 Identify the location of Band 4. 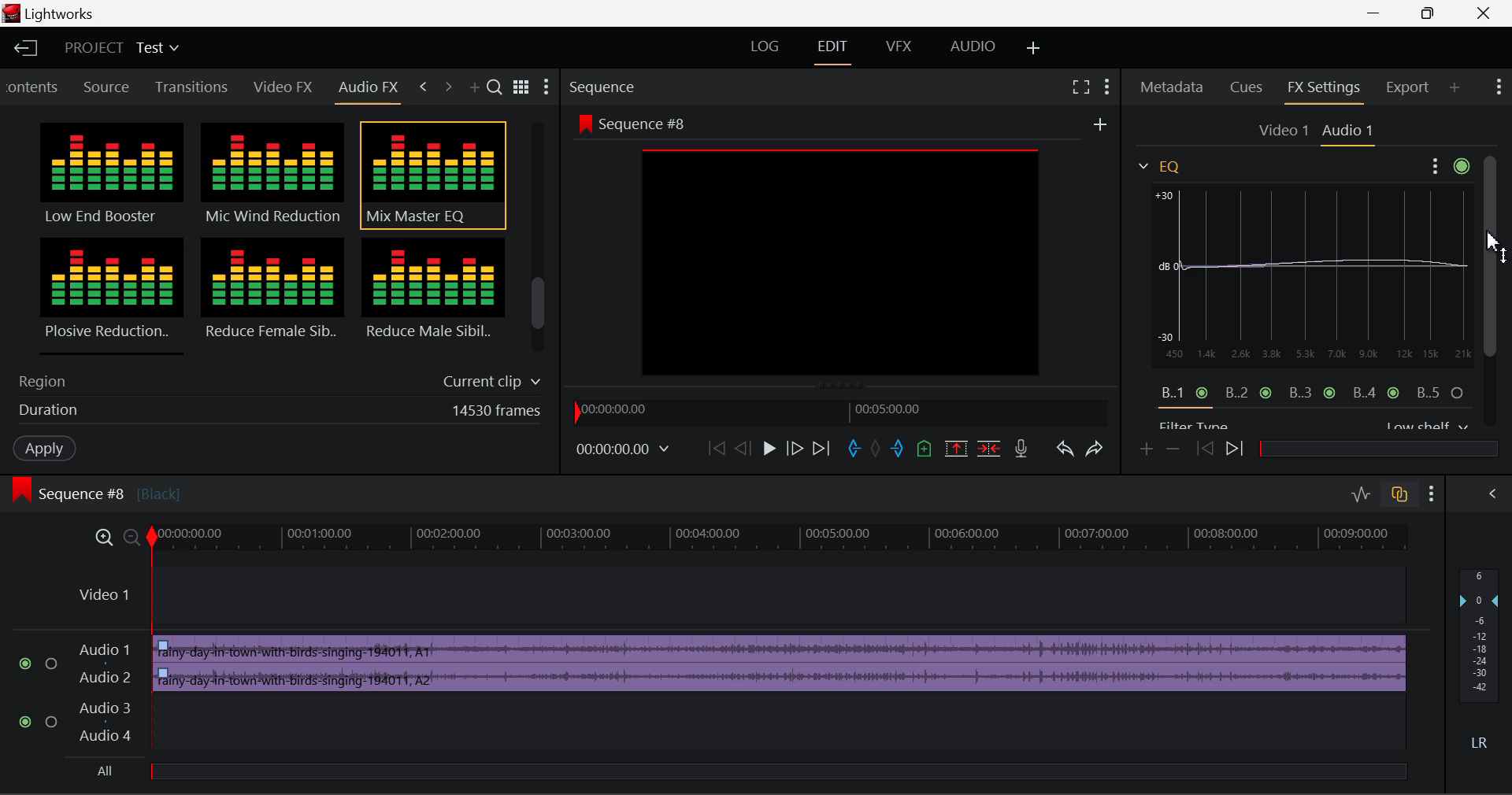
(1380, 393).